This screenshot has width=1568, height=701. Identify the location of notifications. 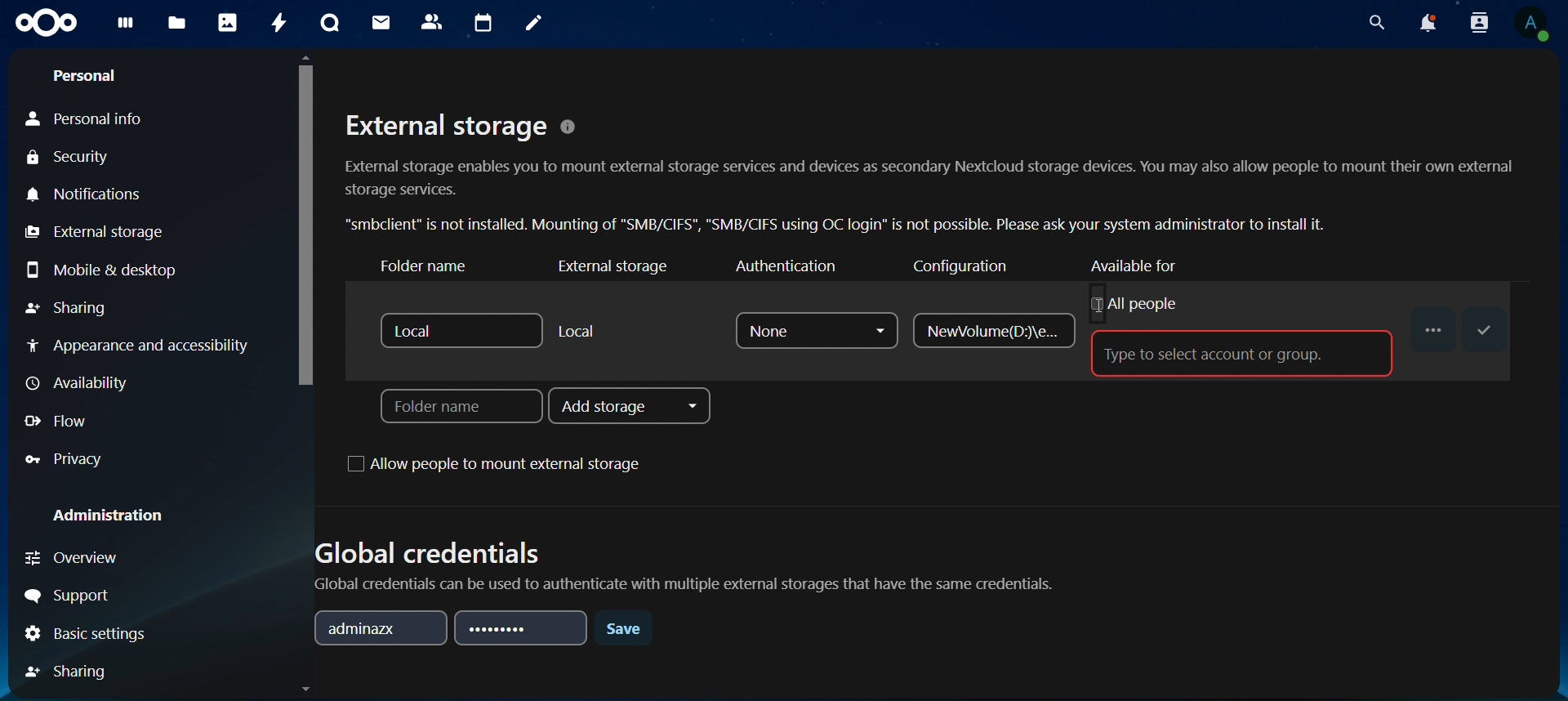
(1429, 22).